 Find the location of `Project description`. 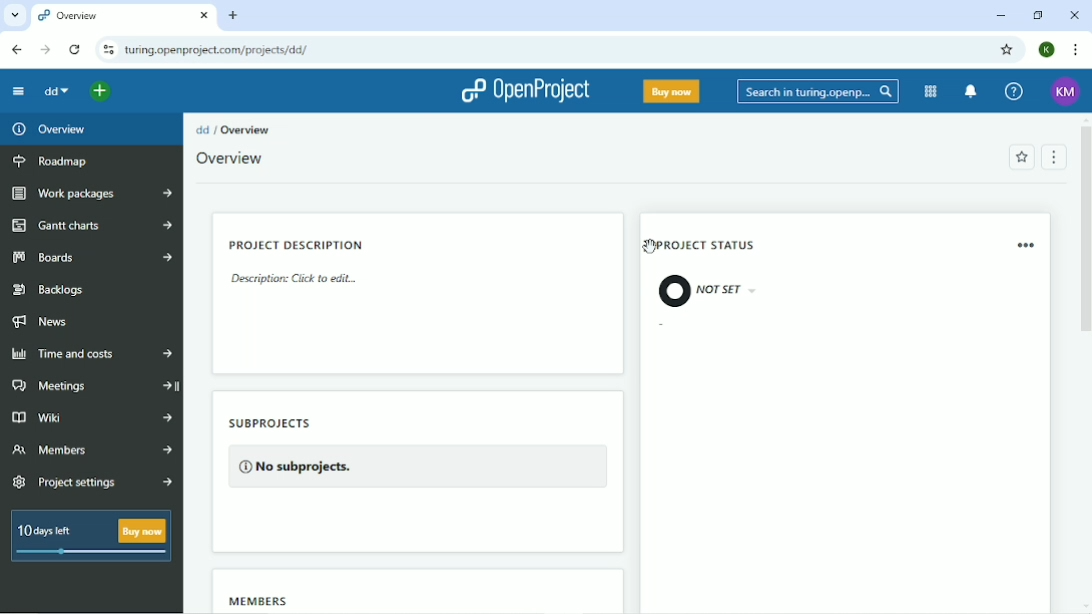

Project description is located at coordinates (300, 264).